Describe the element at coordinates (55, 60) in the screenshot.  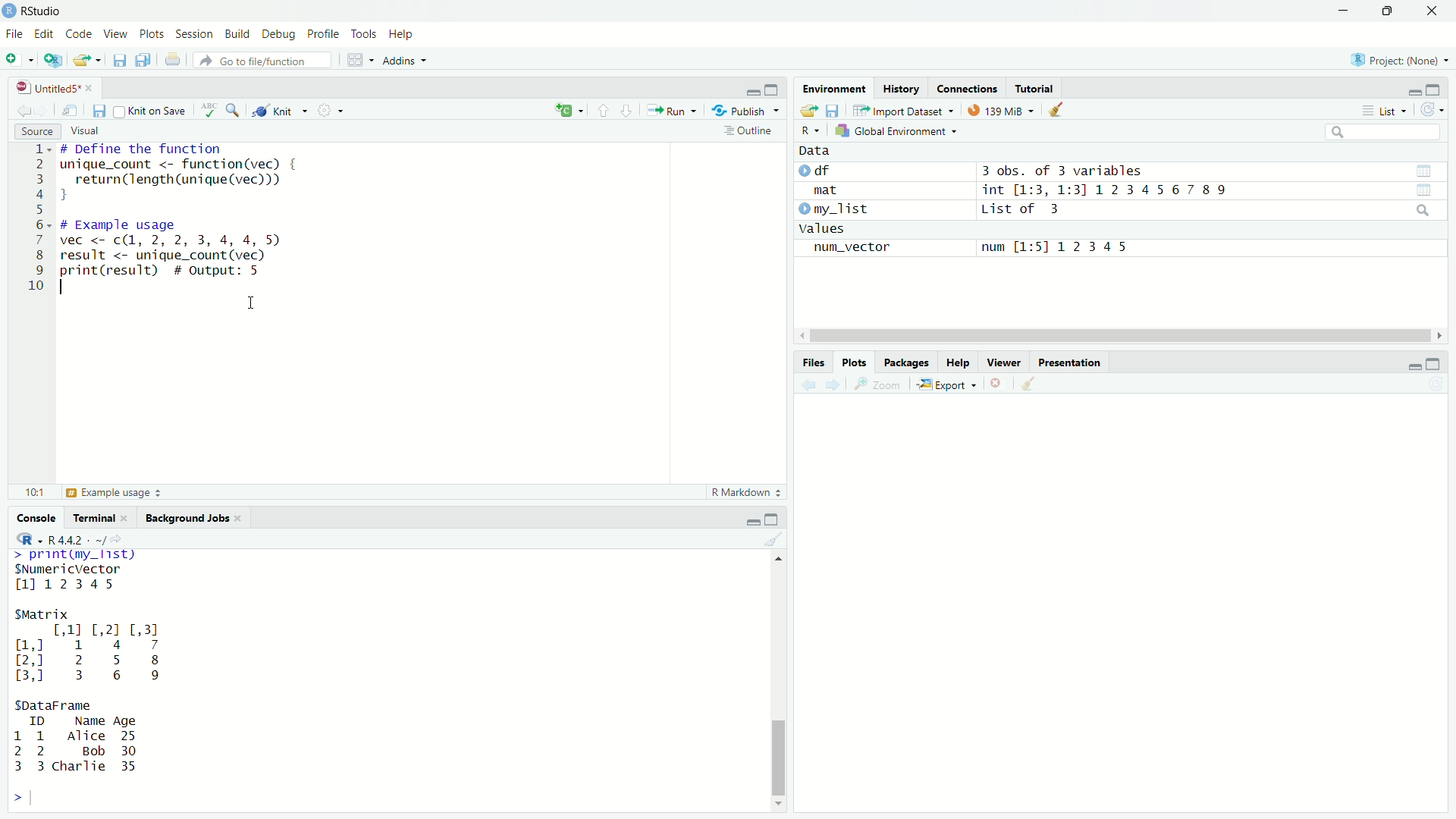
I see `create a project` at that location.